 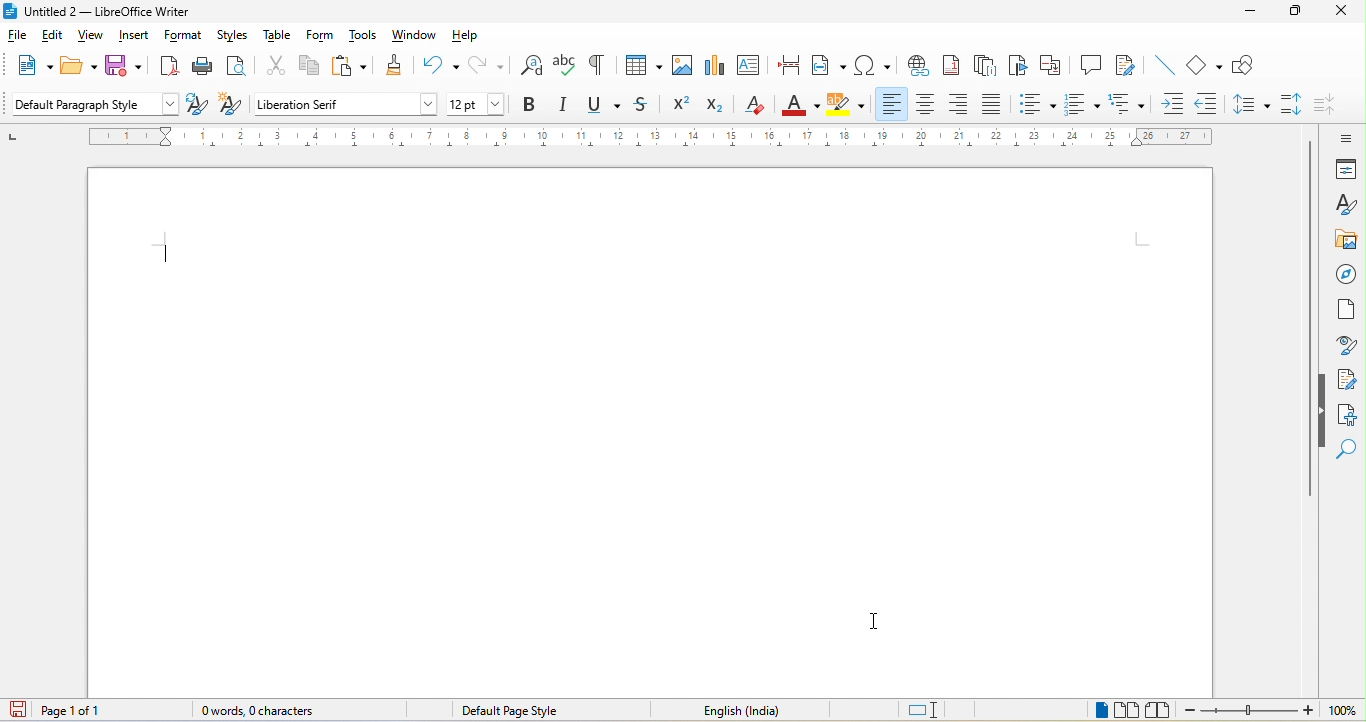 What do you see at coordinates (170, 67) in the screenshot?
I see `export directly as pdf` at bounding box center [170, 67].